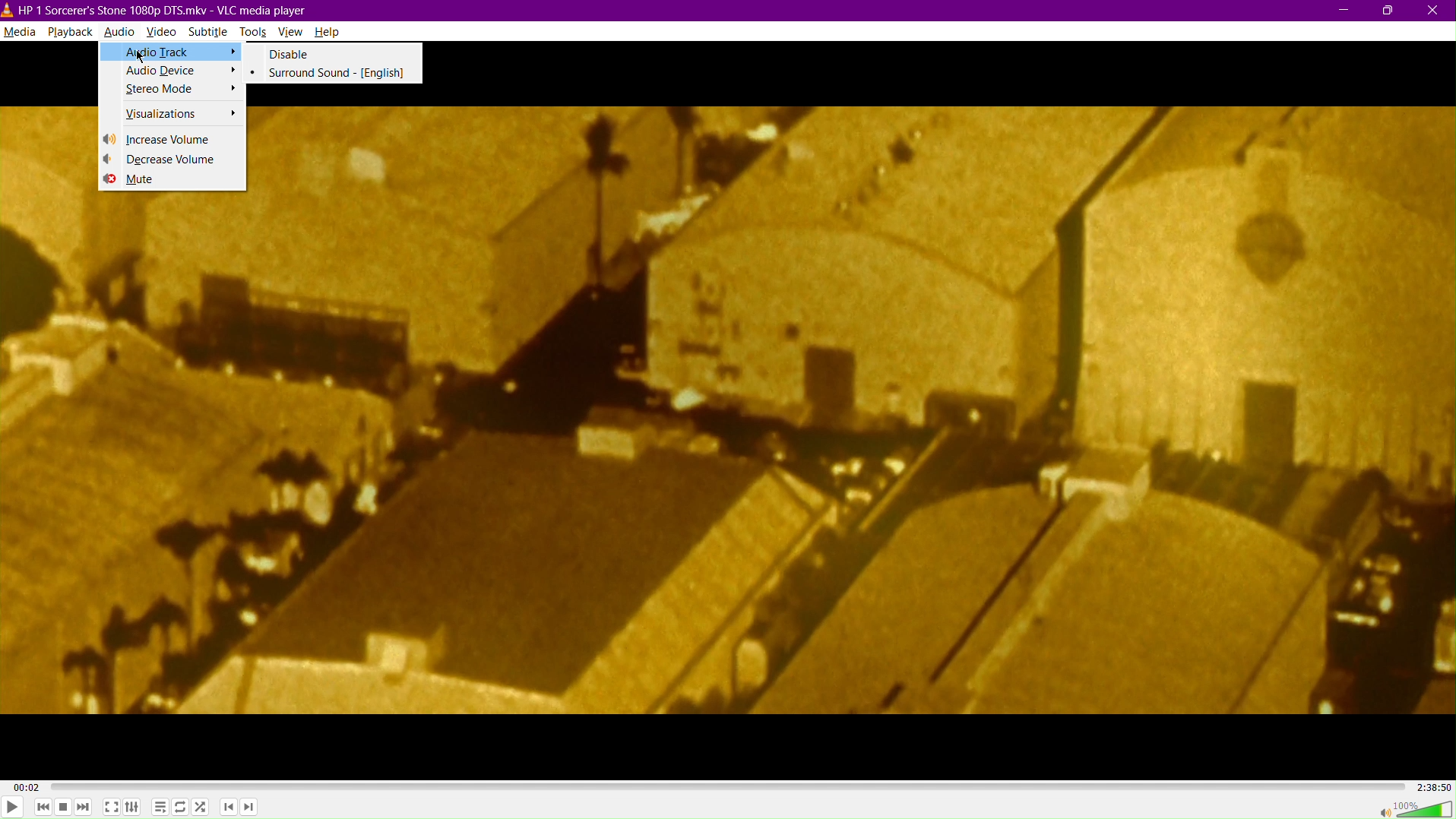 This screenshot has height=819, width=1456. What do you see at coordinates (856, 411) in the screenshot?
I see `Video Display` at bounding box center [856, 411].